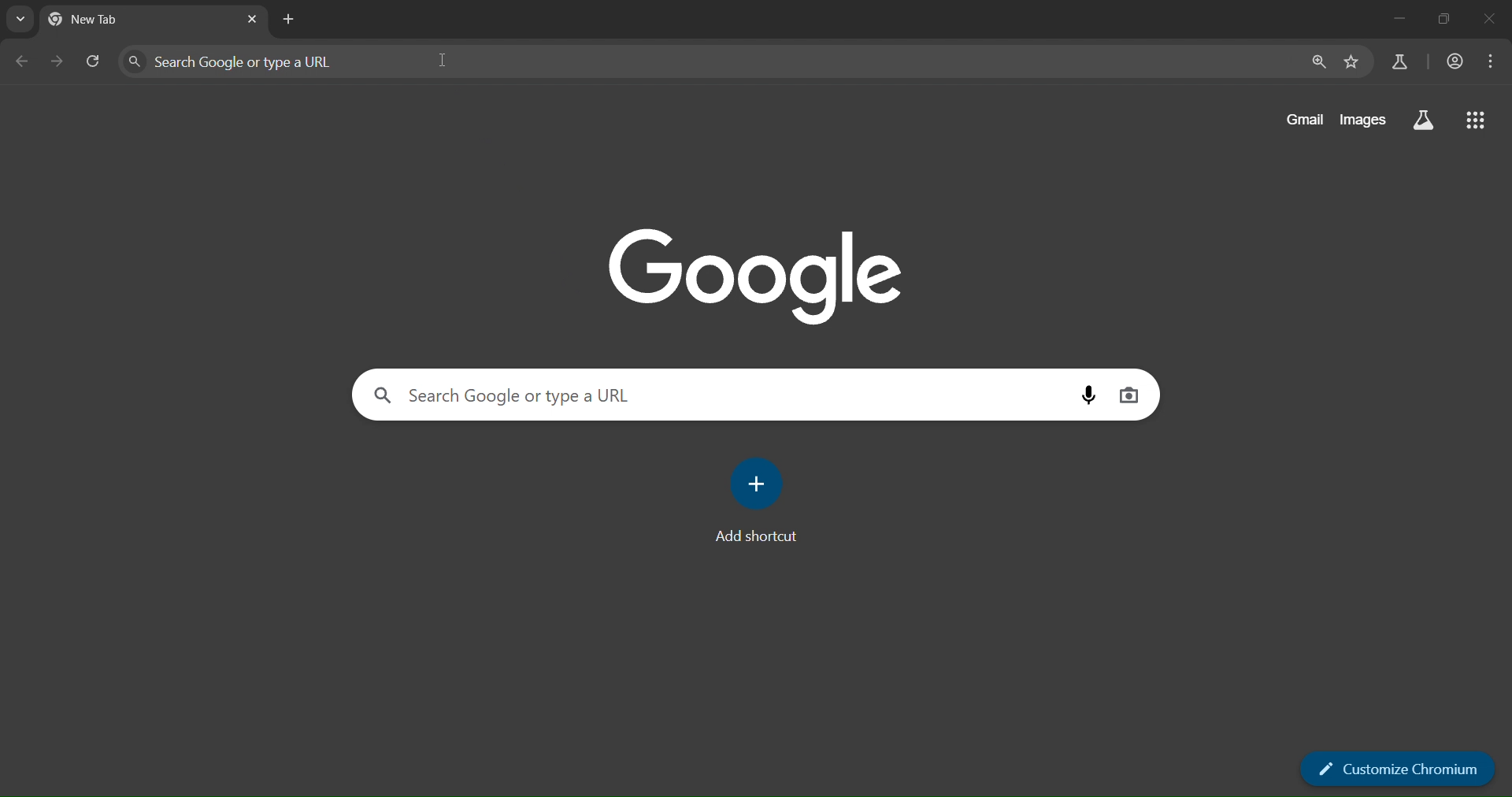  Describe the element at coordinates (252, 21) in the screenshot. I see `close tab` at that location.